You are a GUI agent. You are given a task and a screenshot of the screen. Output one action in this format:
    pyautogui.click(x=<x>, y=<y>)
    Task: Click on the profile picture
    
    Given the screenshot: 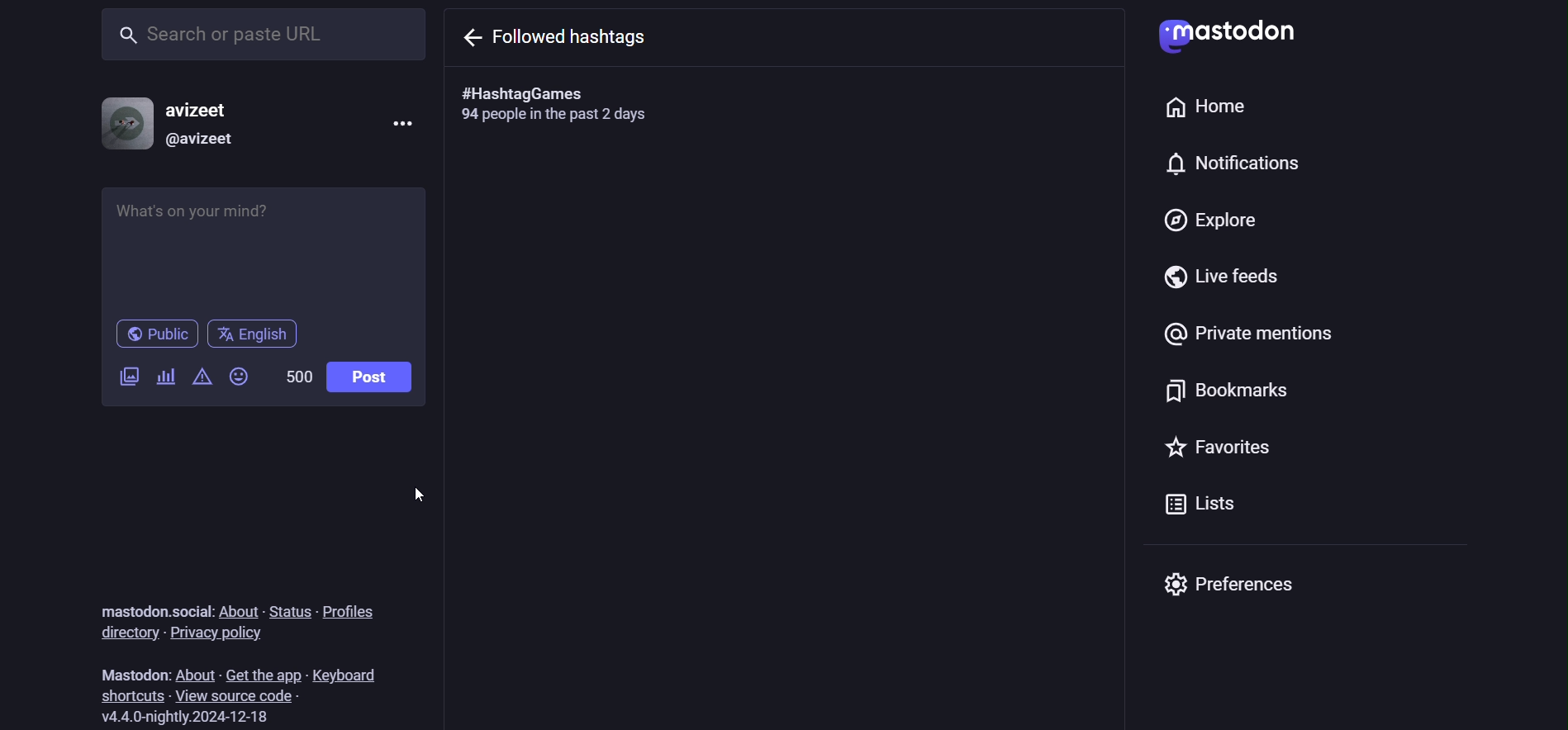 What is the action you would take?
    pyautogui.click(x=116, y=122)
    